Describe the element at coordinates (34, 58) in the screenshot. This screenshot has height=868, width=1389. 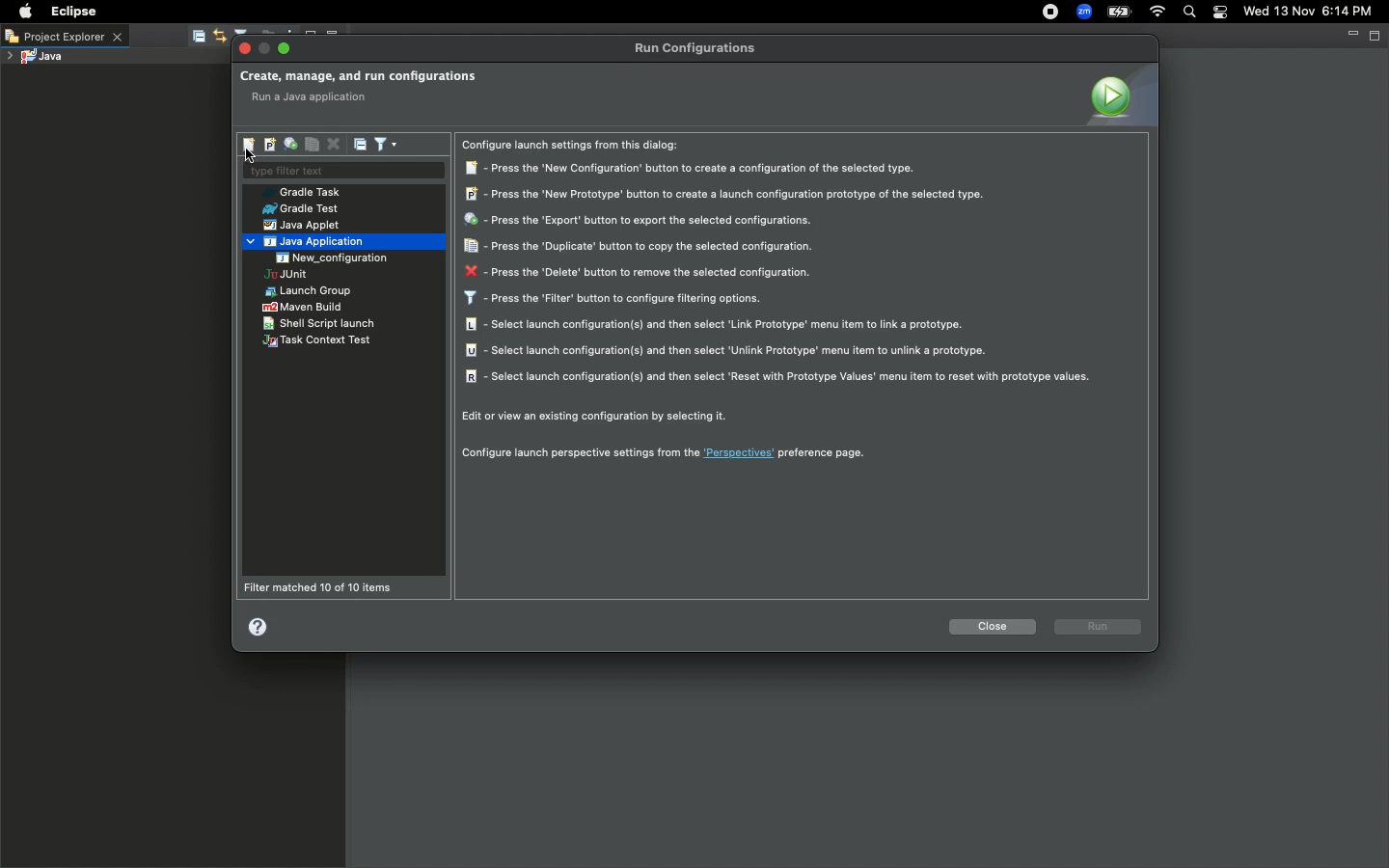
I see `Java project` at that location.